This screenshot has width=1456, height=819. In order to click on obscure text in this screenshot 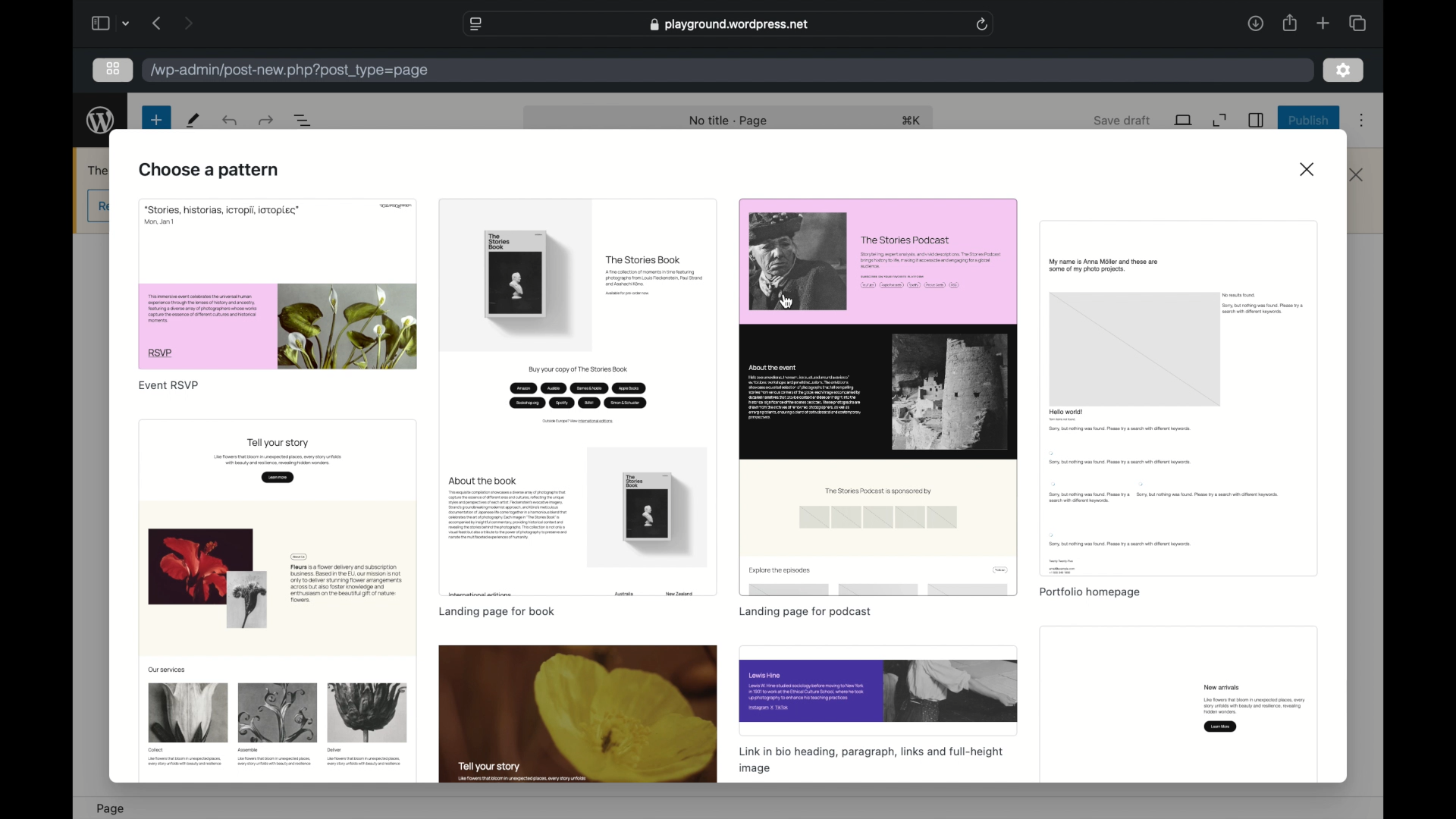, I will do `click(97, 171)`.